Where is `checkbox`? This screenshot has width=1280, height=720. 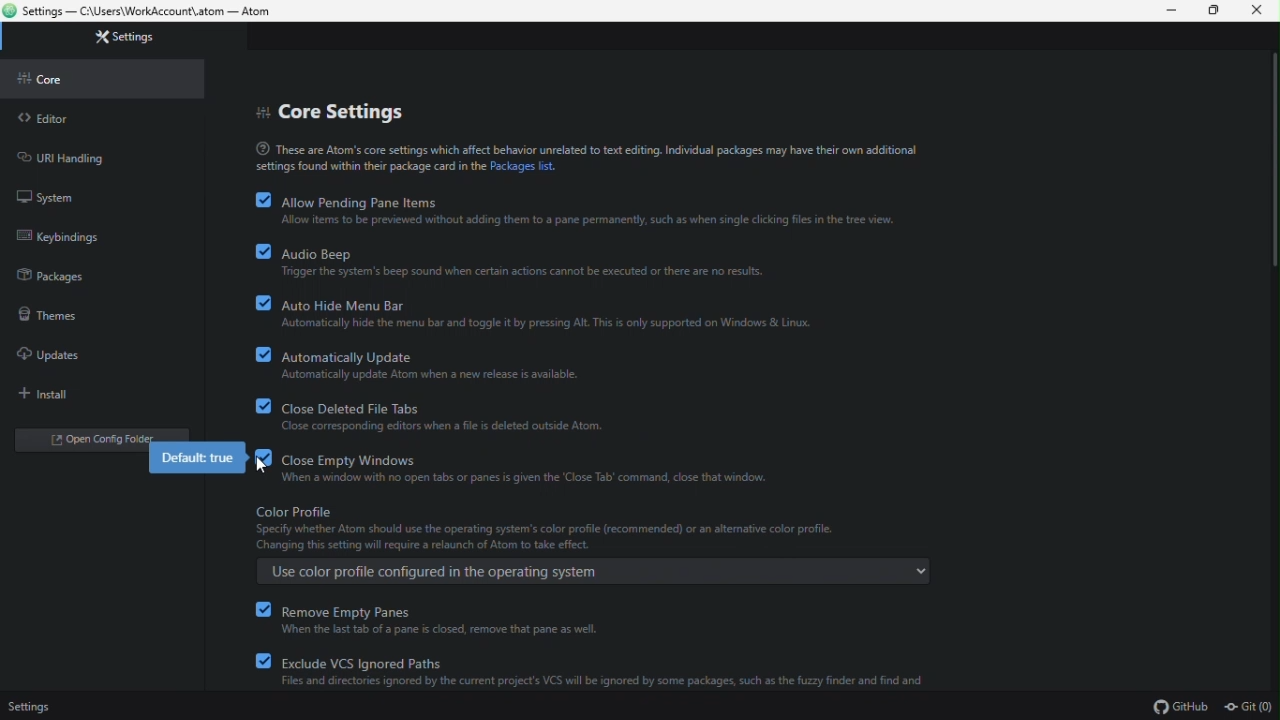
checkbox is located at coordinates (261, 304).